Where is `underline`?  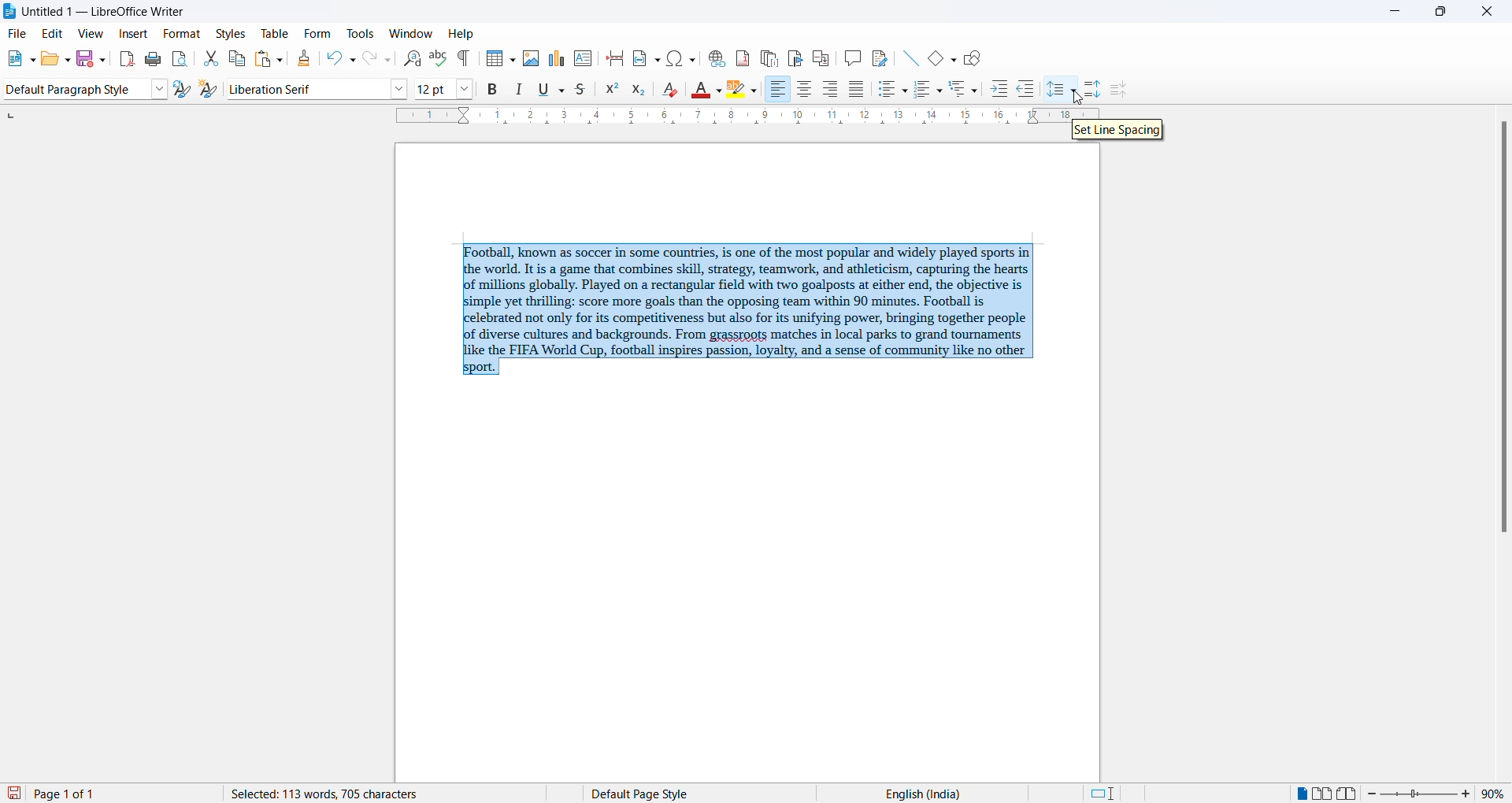
underline is located at coordinates (543, 87).